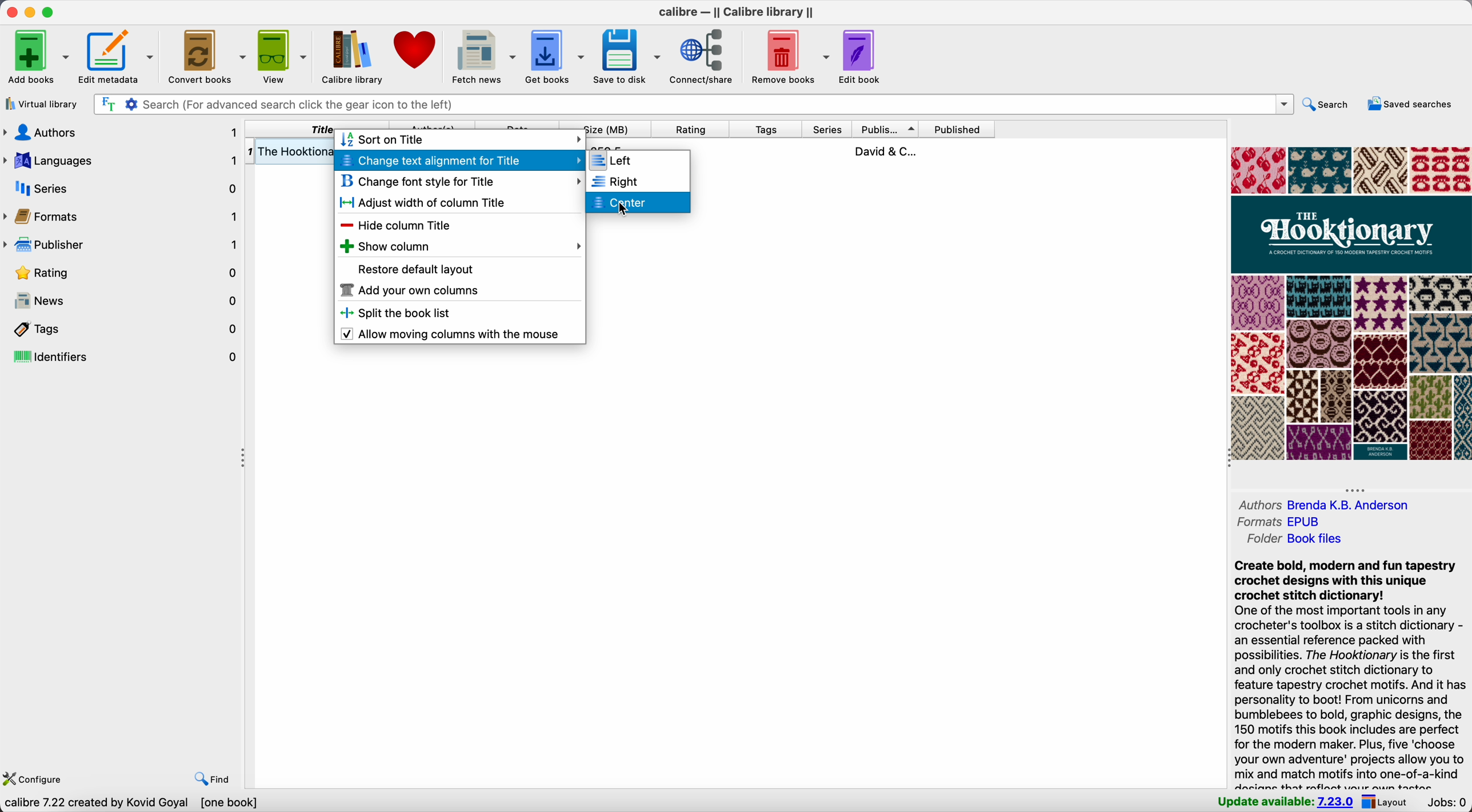 Image resolution: width=1472 pixels, height=812 pixels. I want to click on search bar, so click(690, 105).